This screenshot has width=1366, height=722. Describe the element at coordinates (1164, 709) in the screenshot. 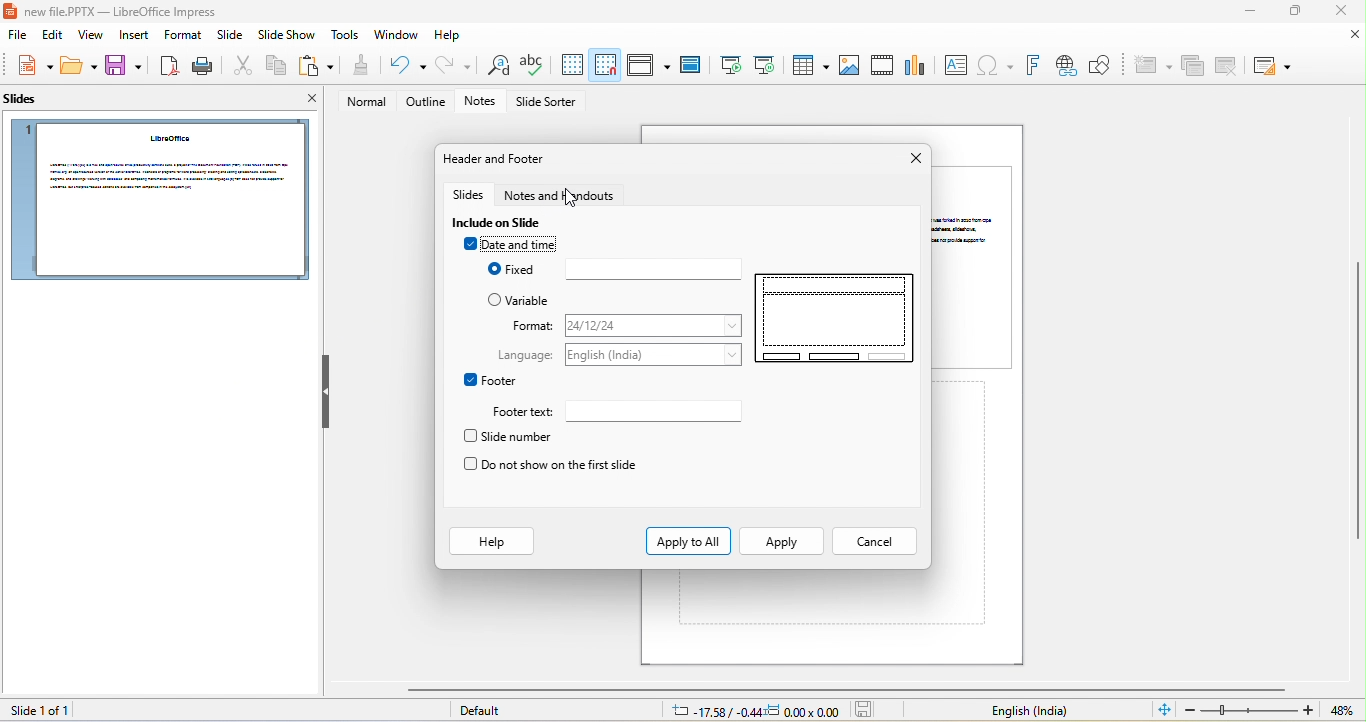

I see `fit slide to current window` at that location.